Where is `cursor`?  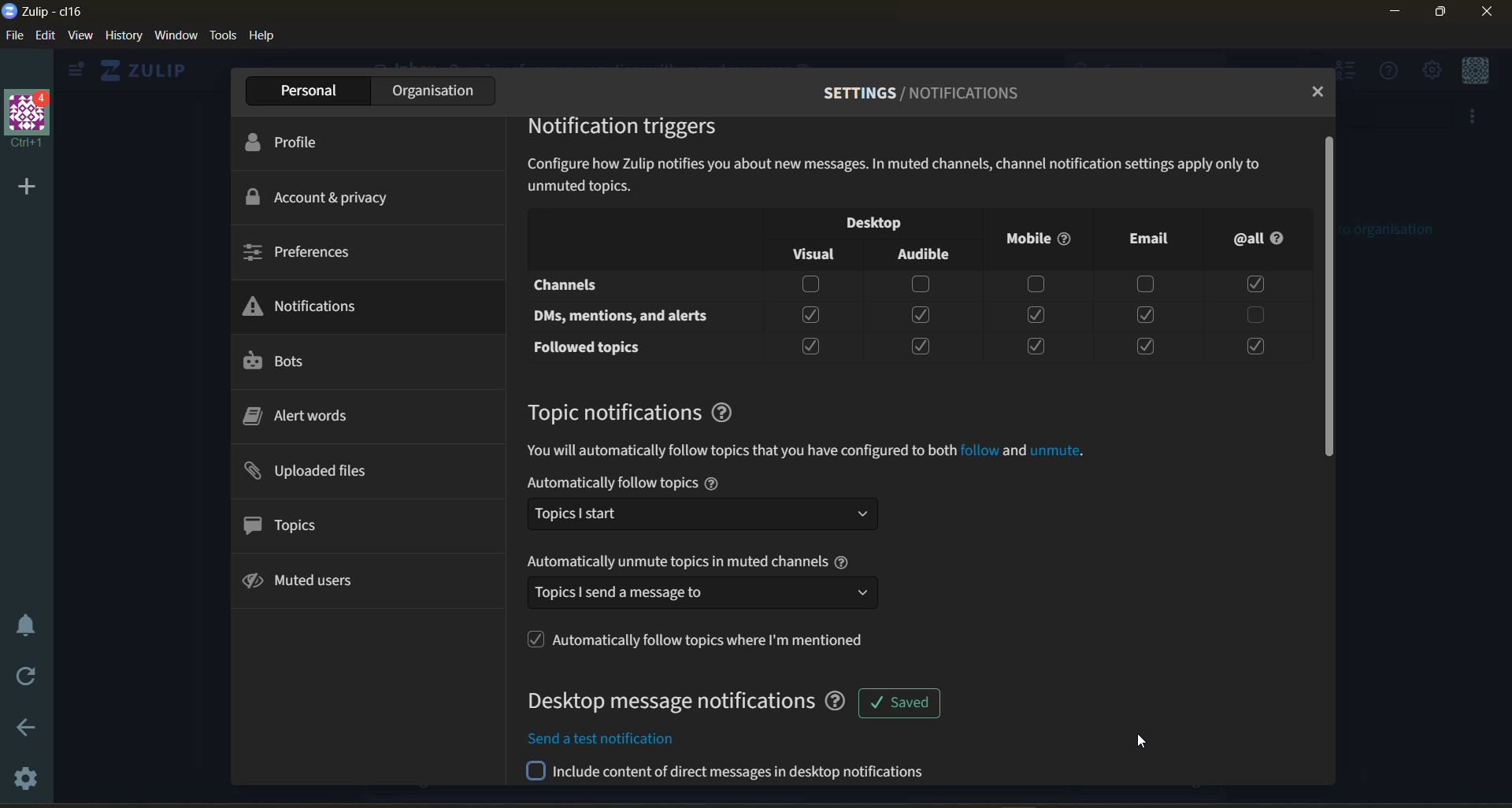 cursor is located at coordinates (1137, 741).